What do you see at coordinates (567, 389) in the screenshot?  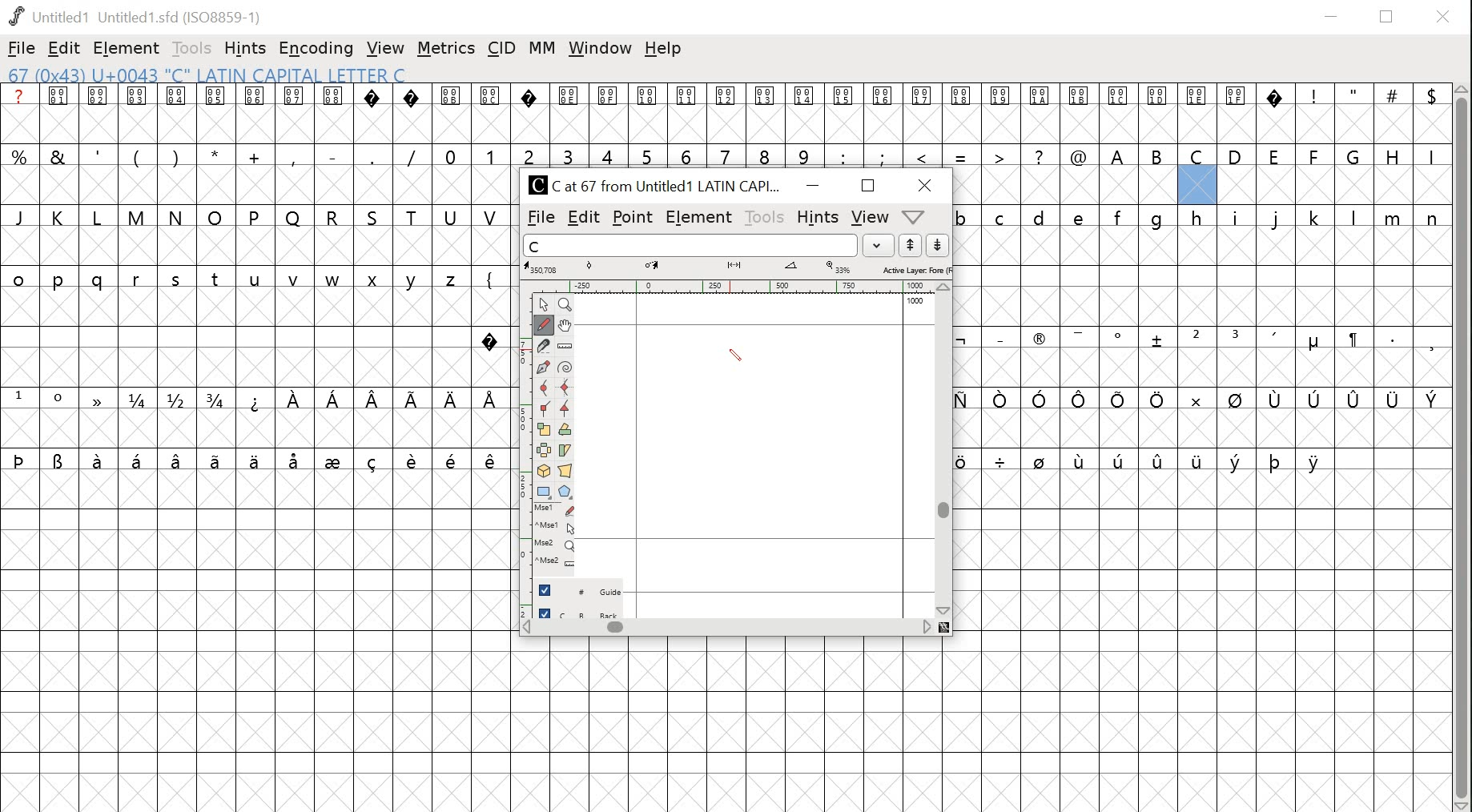 I see `HV curve` at bounding box center [567, 389].